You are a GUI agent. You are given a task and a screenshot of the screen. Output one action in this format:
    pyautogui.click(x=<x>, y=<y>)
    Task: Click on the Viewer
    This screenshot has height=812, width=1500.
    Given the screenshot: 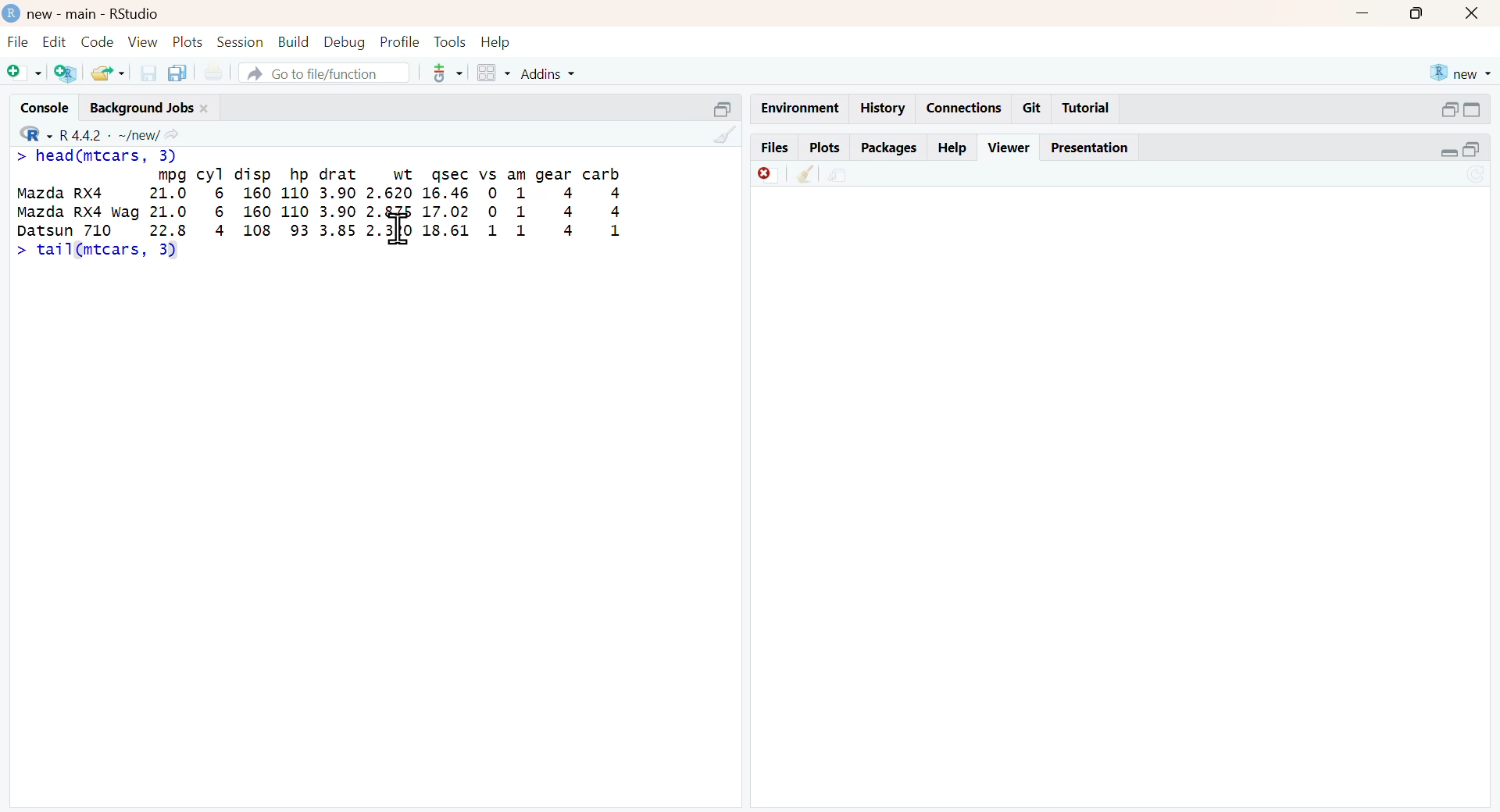 What is the action you would take?
    pyautogui.click(x=1009, y=145)
    